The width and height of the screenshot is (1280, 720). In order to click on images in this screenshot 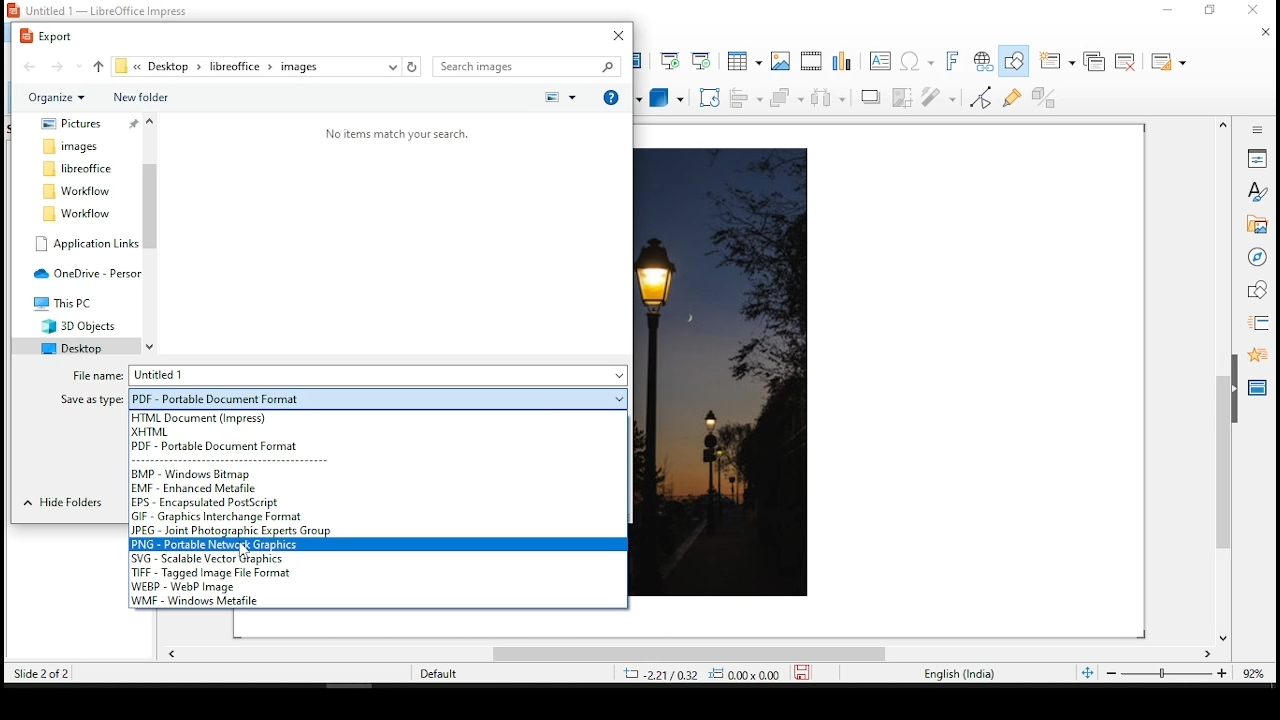, I will do `click(779, 59)`.